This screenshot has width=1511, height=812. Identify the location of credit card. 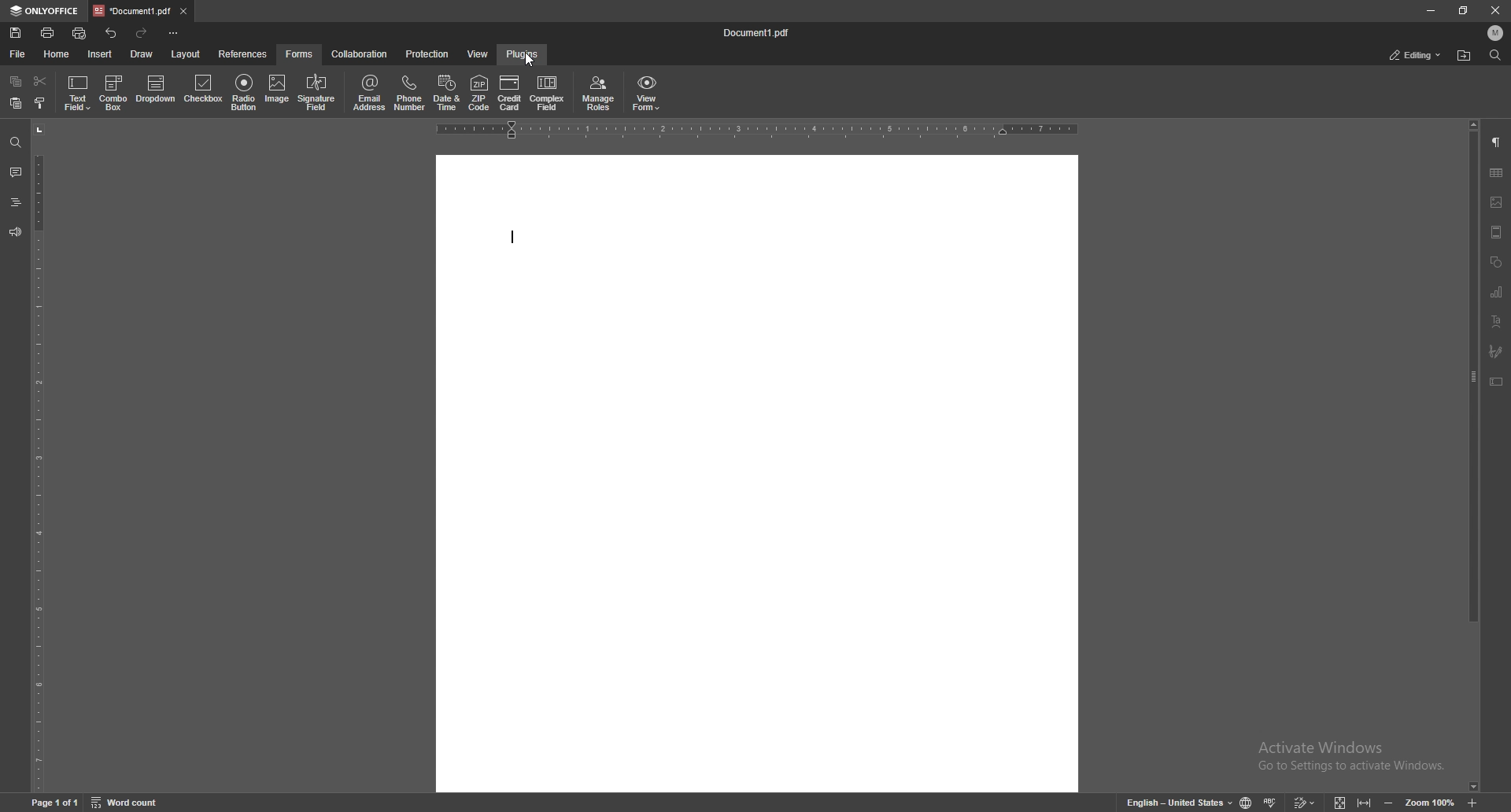
(510, 93).